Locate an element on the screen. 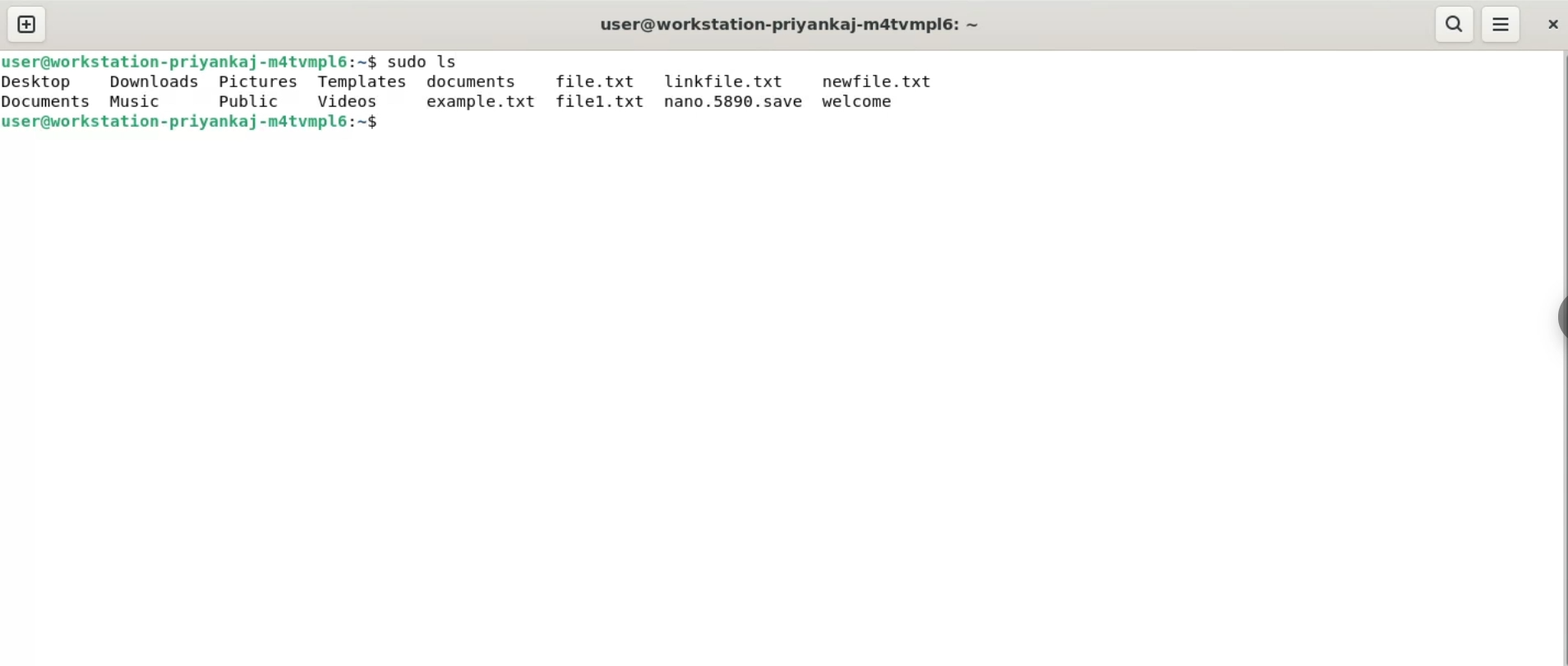 The image size is (1568, 666). newfile is located at coordinates (874, 81).